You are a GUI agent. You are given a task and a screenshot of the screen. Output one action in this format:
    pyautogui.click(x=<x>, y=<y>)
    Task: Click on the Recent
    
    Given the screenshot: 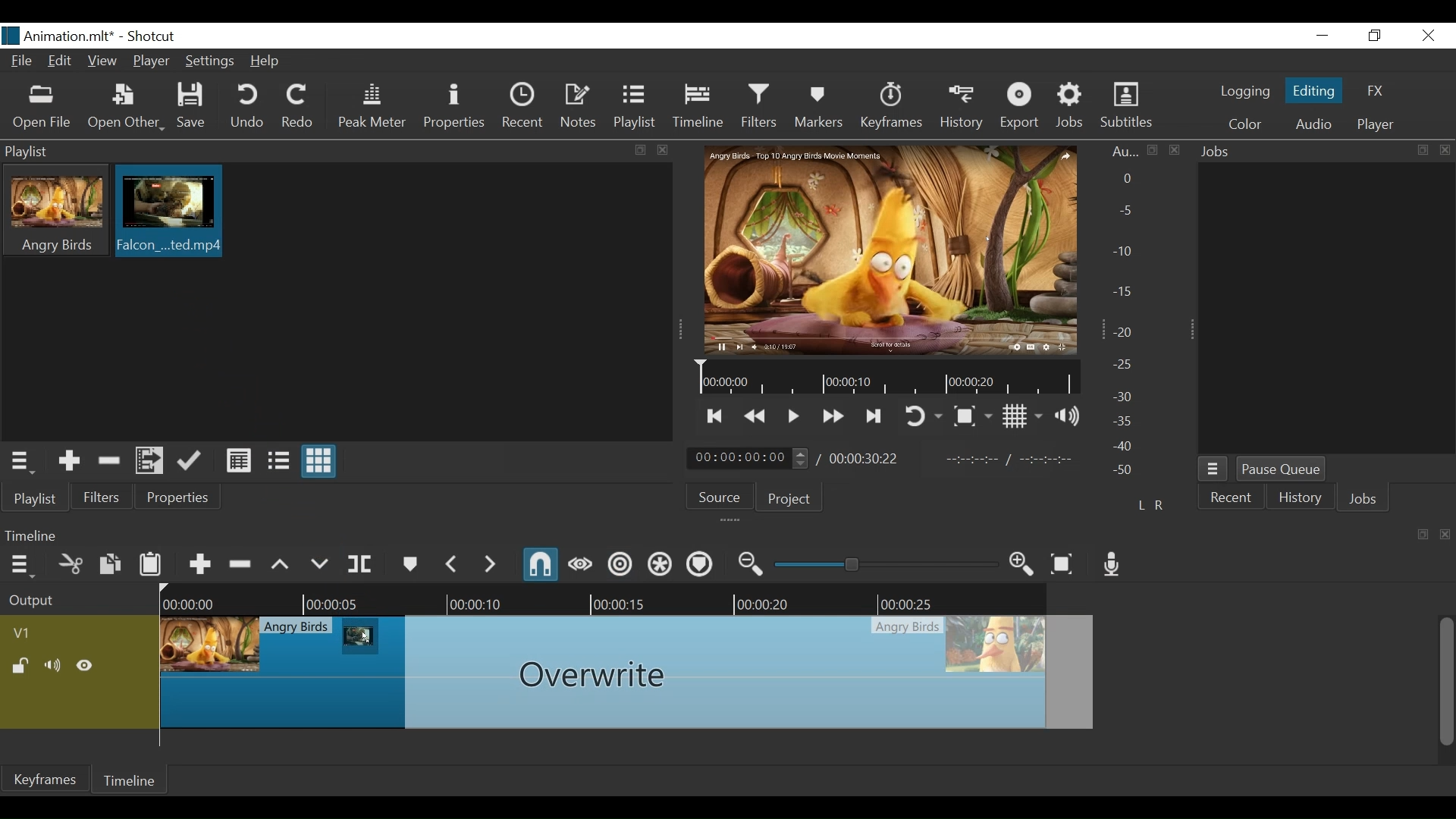 What is the action you would take?
    pyautogui.click(x=1231, y=497)
    